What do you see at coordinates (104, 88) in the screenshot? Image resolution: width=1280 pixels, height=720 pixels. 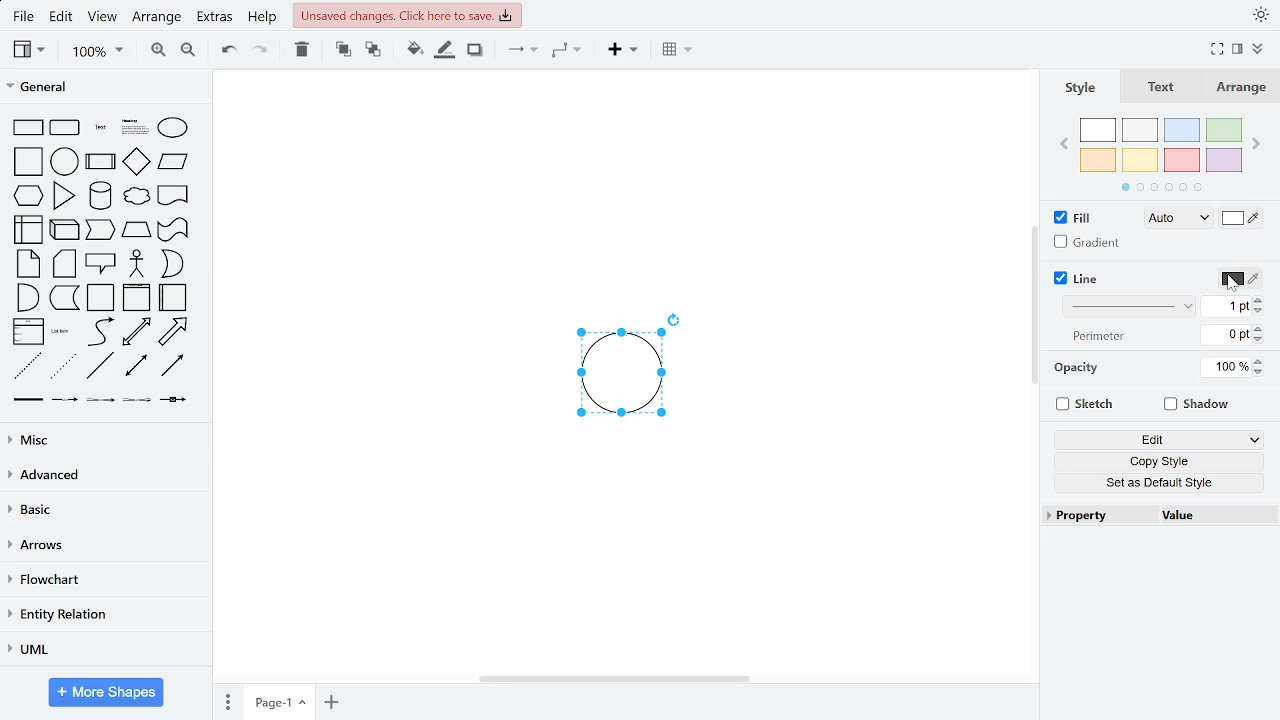 I see `general` at bounding box center [104, 88].